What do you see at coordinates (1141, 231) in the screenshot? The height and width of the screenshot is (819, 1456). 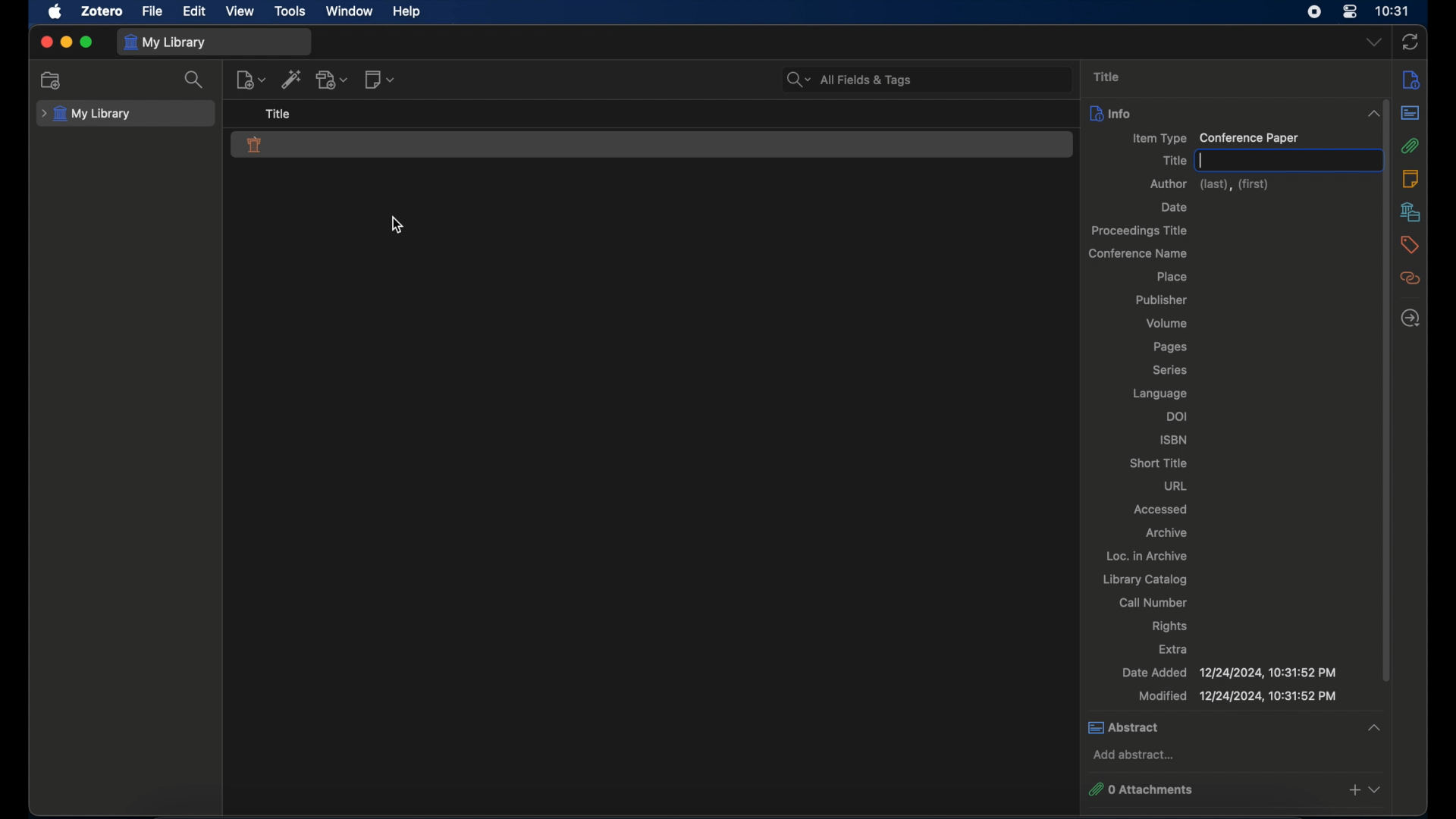 I see `proceedings title` at bounding box center [1141, 231].